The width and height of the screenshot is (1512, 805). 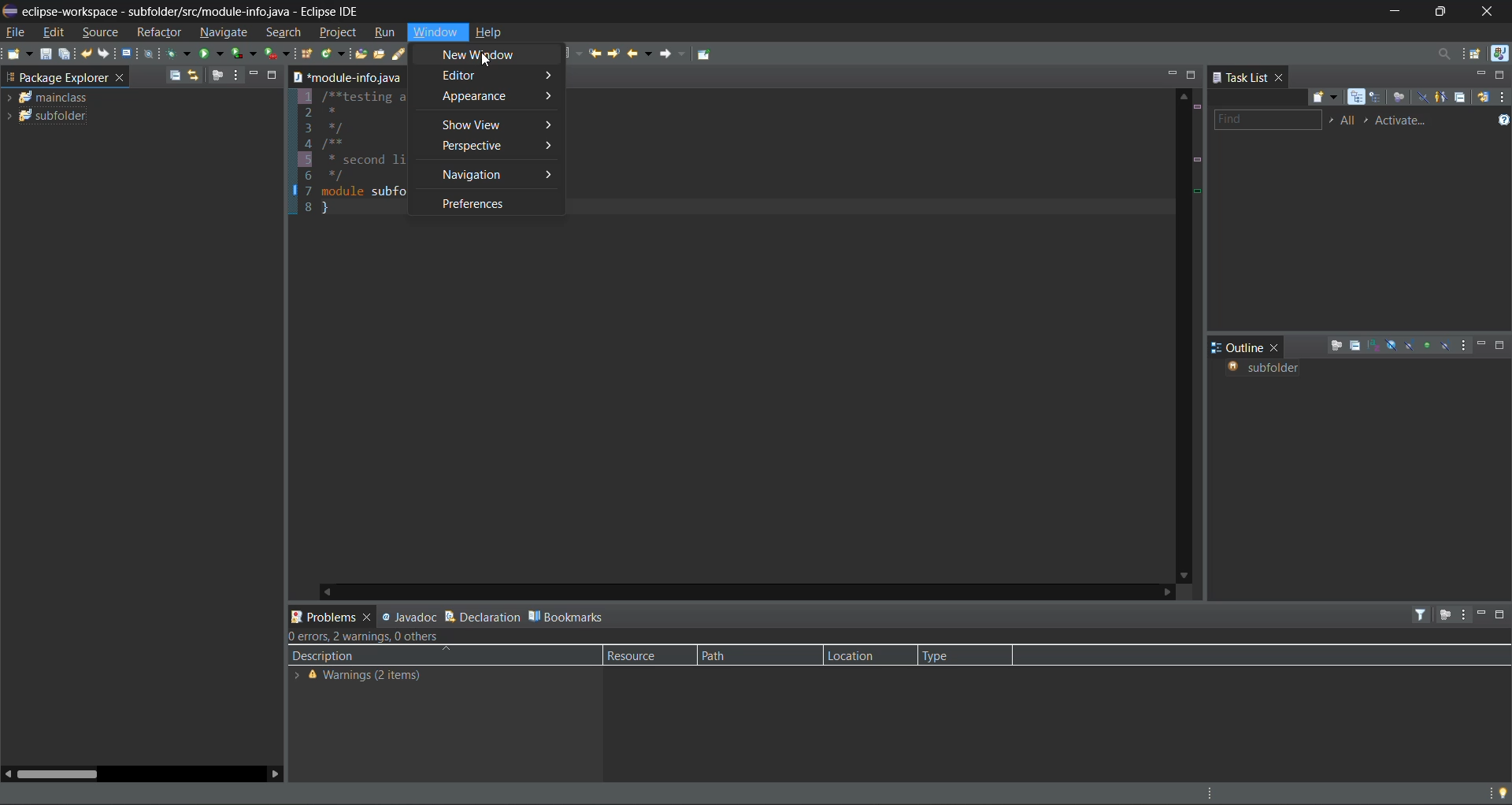 I want to click on edit task working sets, so click(x=1349, y=121).